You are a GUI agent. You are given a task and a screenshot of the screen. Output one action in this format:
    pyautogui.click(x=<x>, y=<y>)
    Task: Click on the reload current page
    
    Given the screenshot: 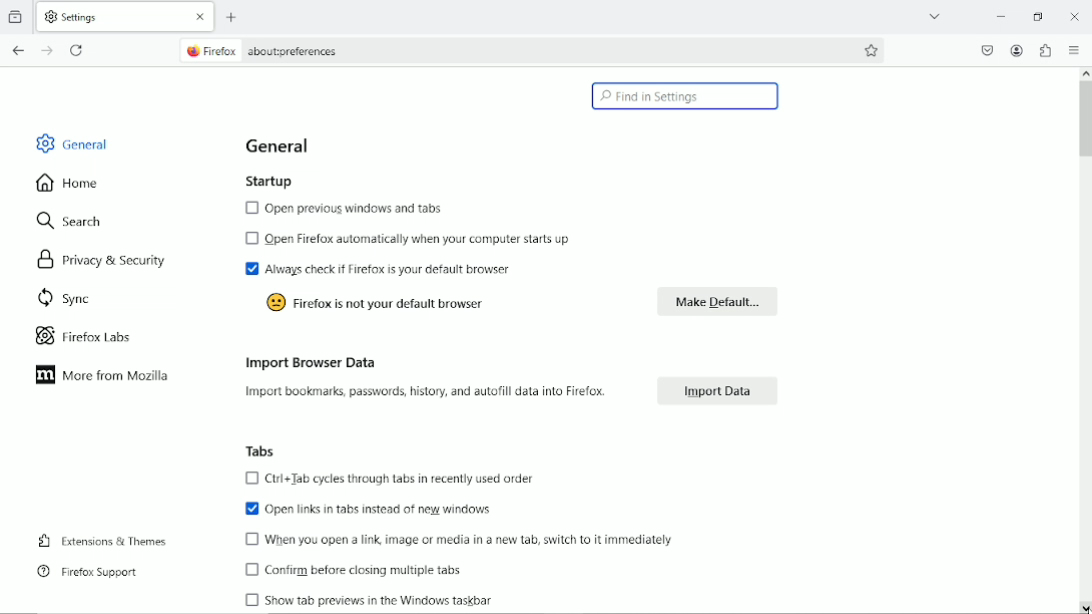 What is the action you would take?
    pyautogui.click(x=77, y=49)
    